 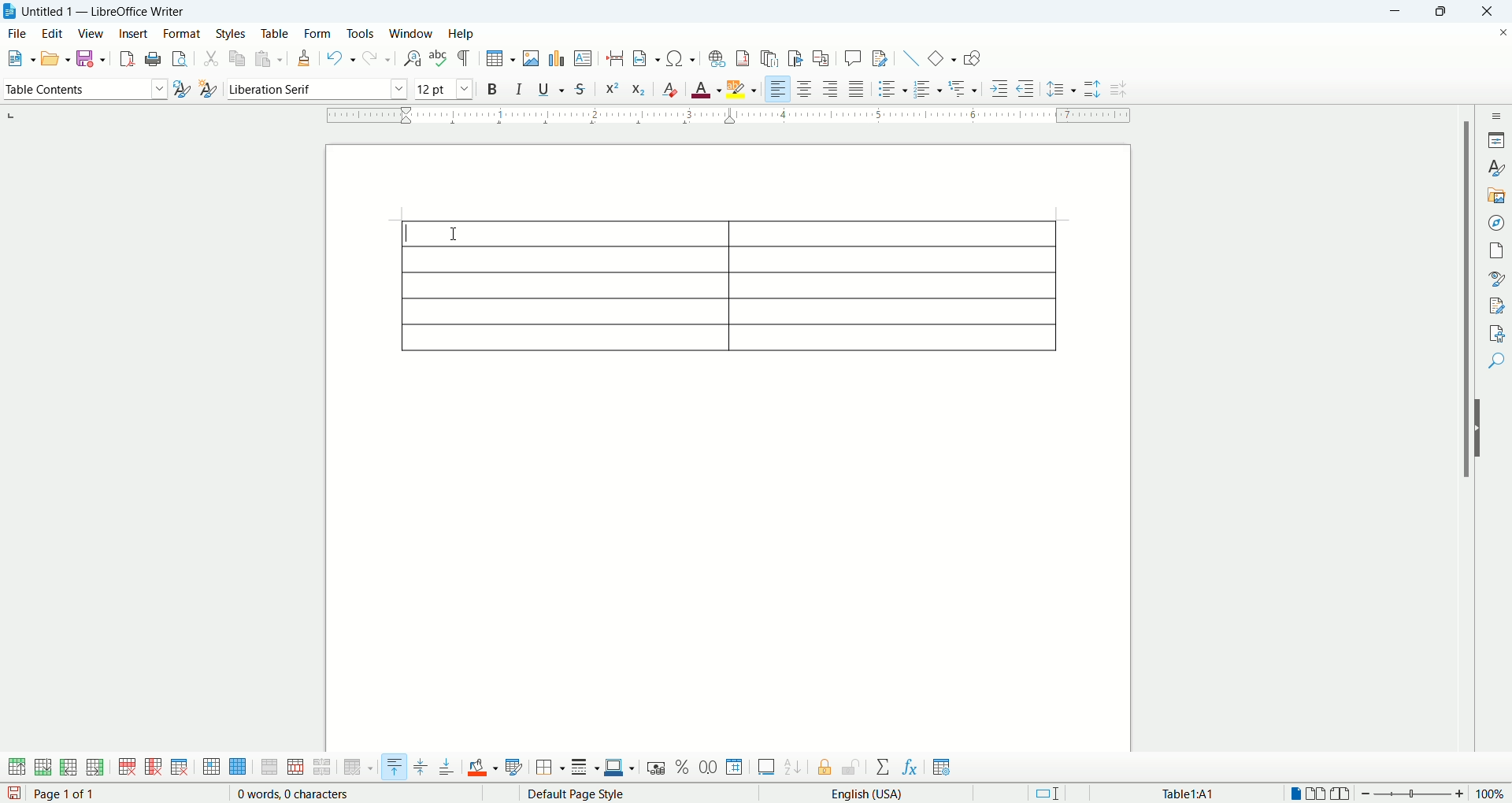 What do you see at coordinates (461, 35) in the screenshot?
I see `help` at bounding box center [461, 35].